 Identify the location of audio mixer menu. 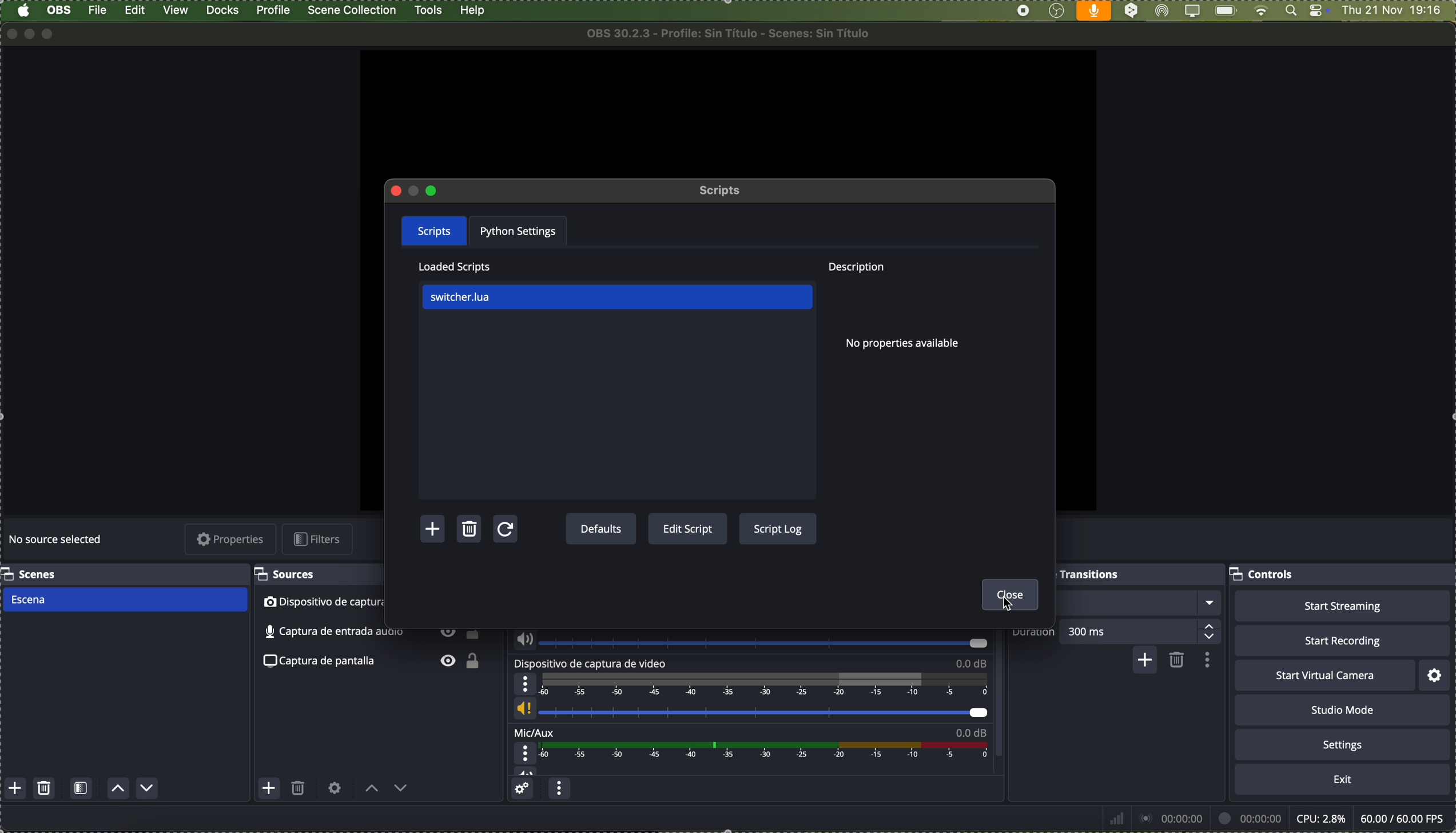
(559, 790).